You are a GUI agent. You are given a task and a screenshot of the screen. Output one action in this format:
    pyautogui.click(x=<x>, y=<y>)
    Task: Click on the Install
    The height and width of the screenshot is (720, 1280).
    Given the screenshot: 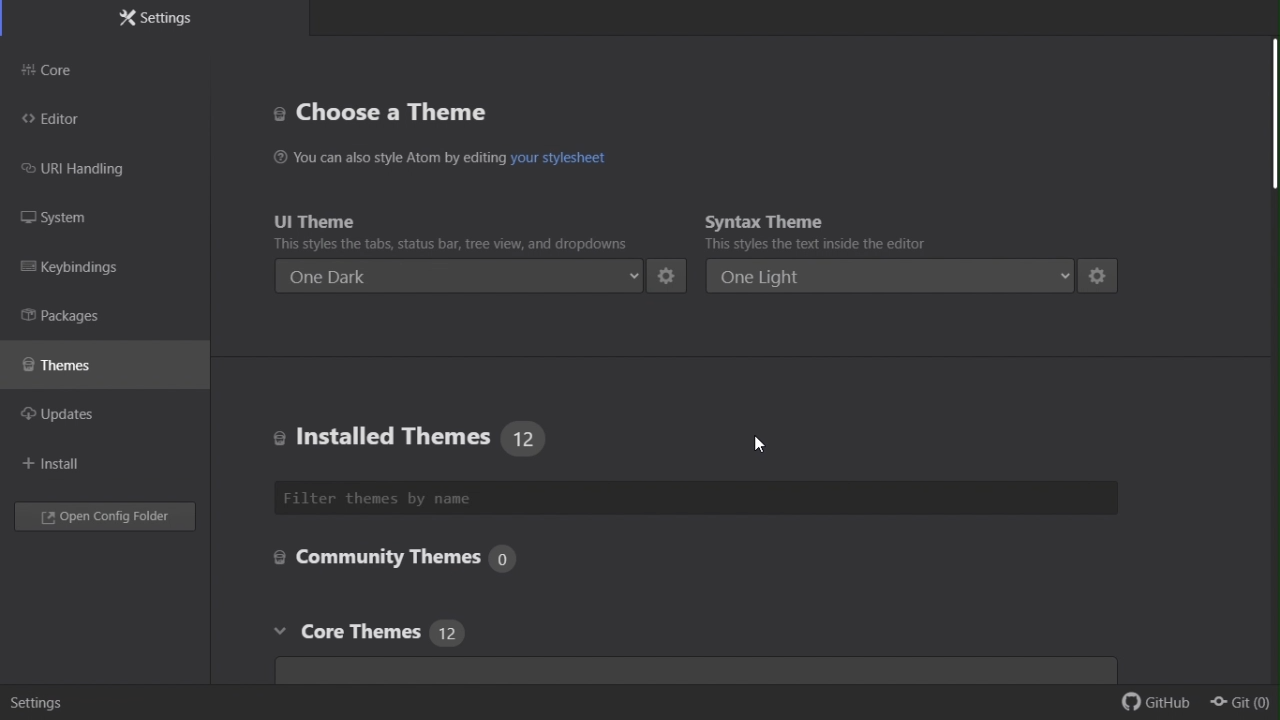 What is the action you would take?
    pyautogui.click(x=62, y=468)
    